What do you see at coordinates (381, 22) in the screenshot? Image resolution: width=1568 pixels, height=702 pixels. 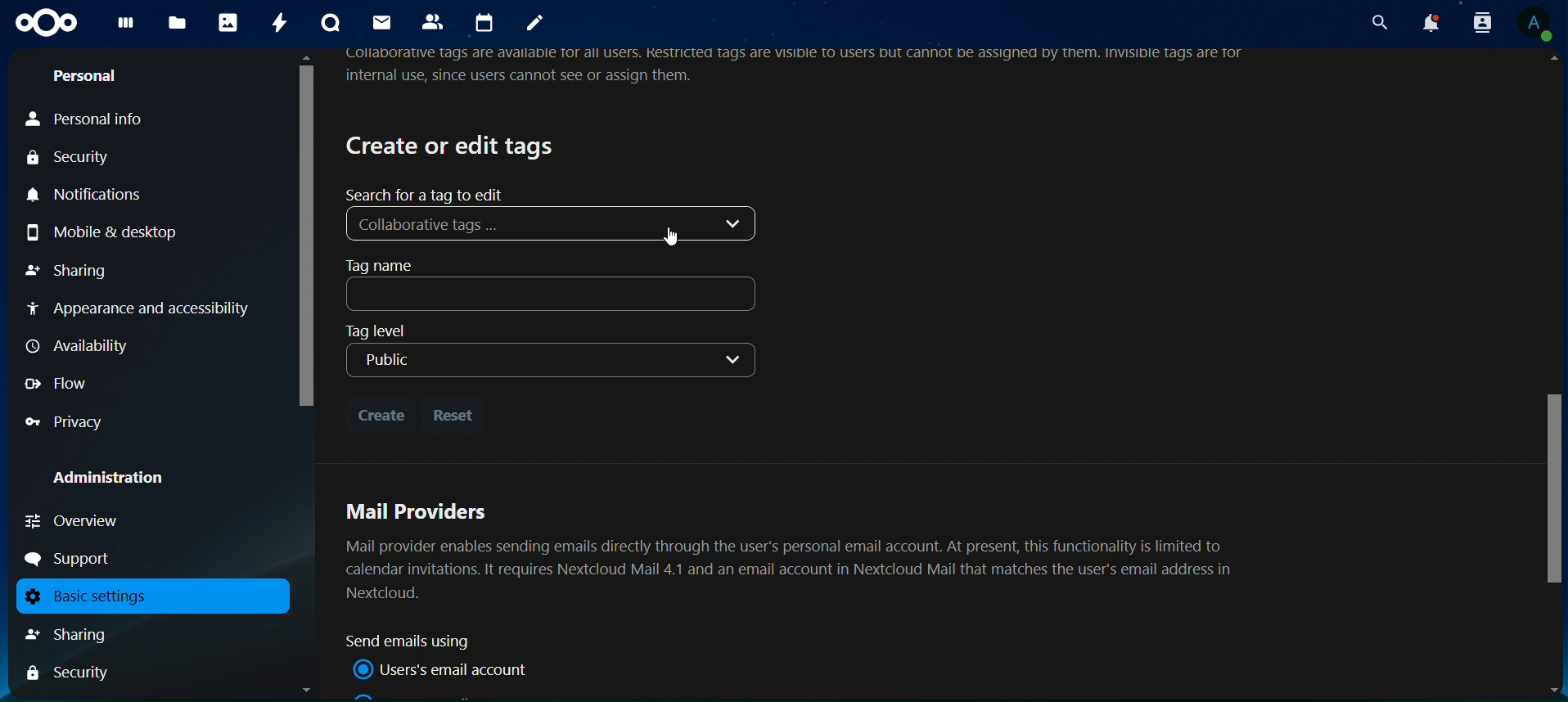 I see `mail` at bounding box center [381, 22].